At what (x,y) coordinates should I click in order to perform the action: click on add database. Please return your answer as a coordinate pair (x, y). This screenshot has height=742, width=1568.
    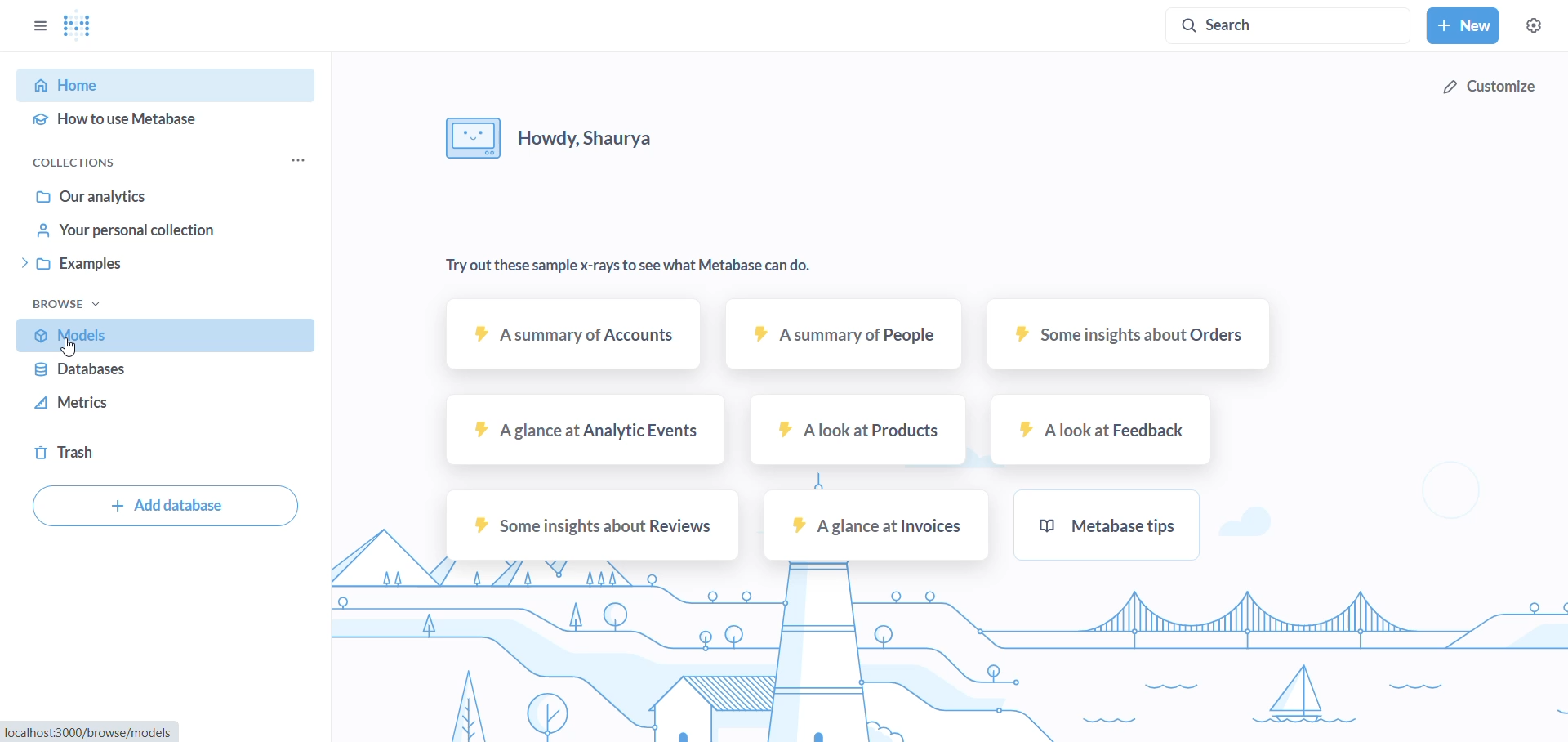
    Looking at the image, I should click on (163, 507).